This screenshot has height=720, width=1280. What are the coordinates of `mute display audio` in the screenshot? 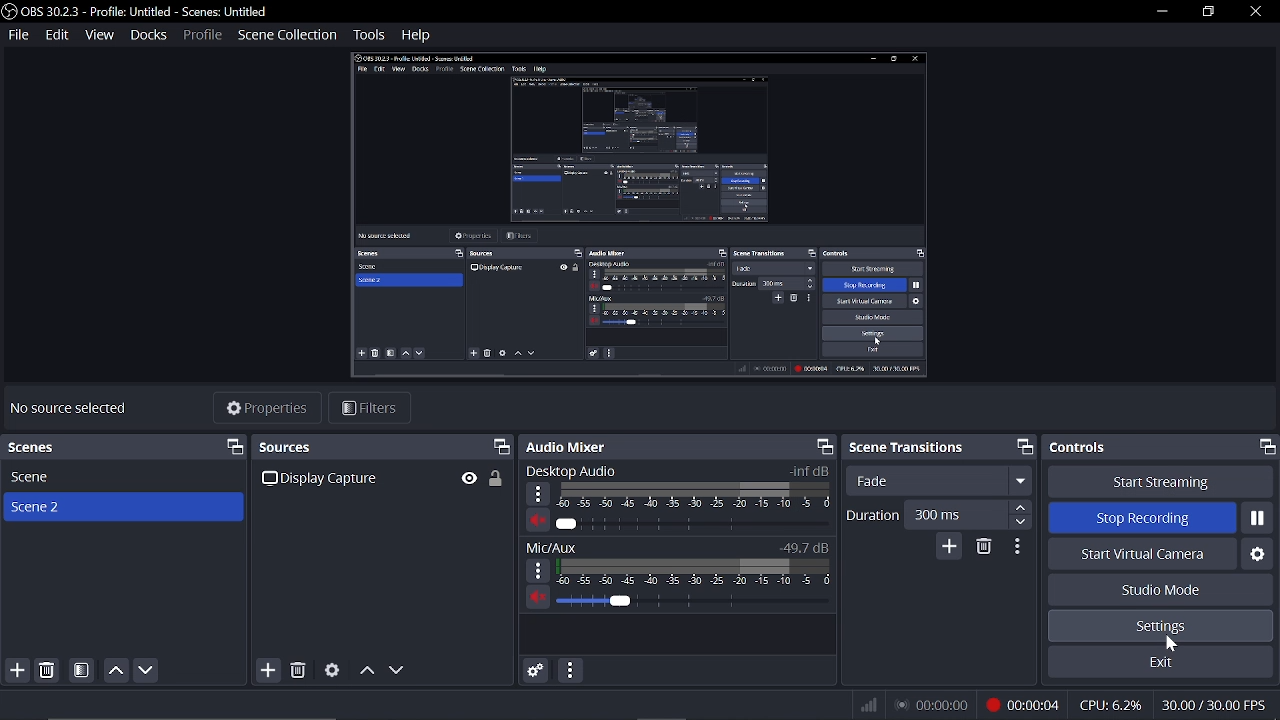 It's located at (537, 520).